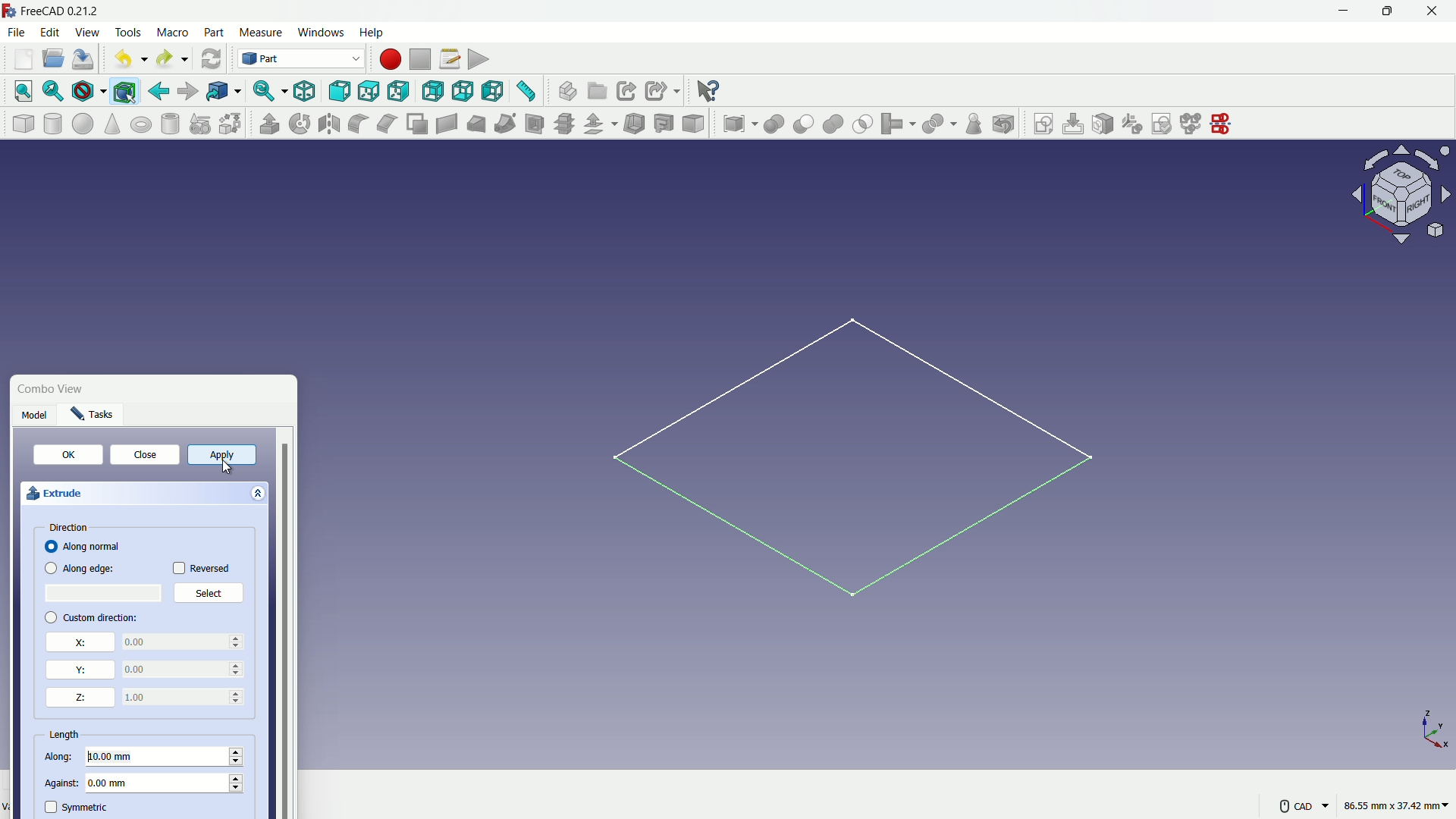  Describe the element at coordinates (98, 548) in the screenshot. I see `Along normal` at that location.